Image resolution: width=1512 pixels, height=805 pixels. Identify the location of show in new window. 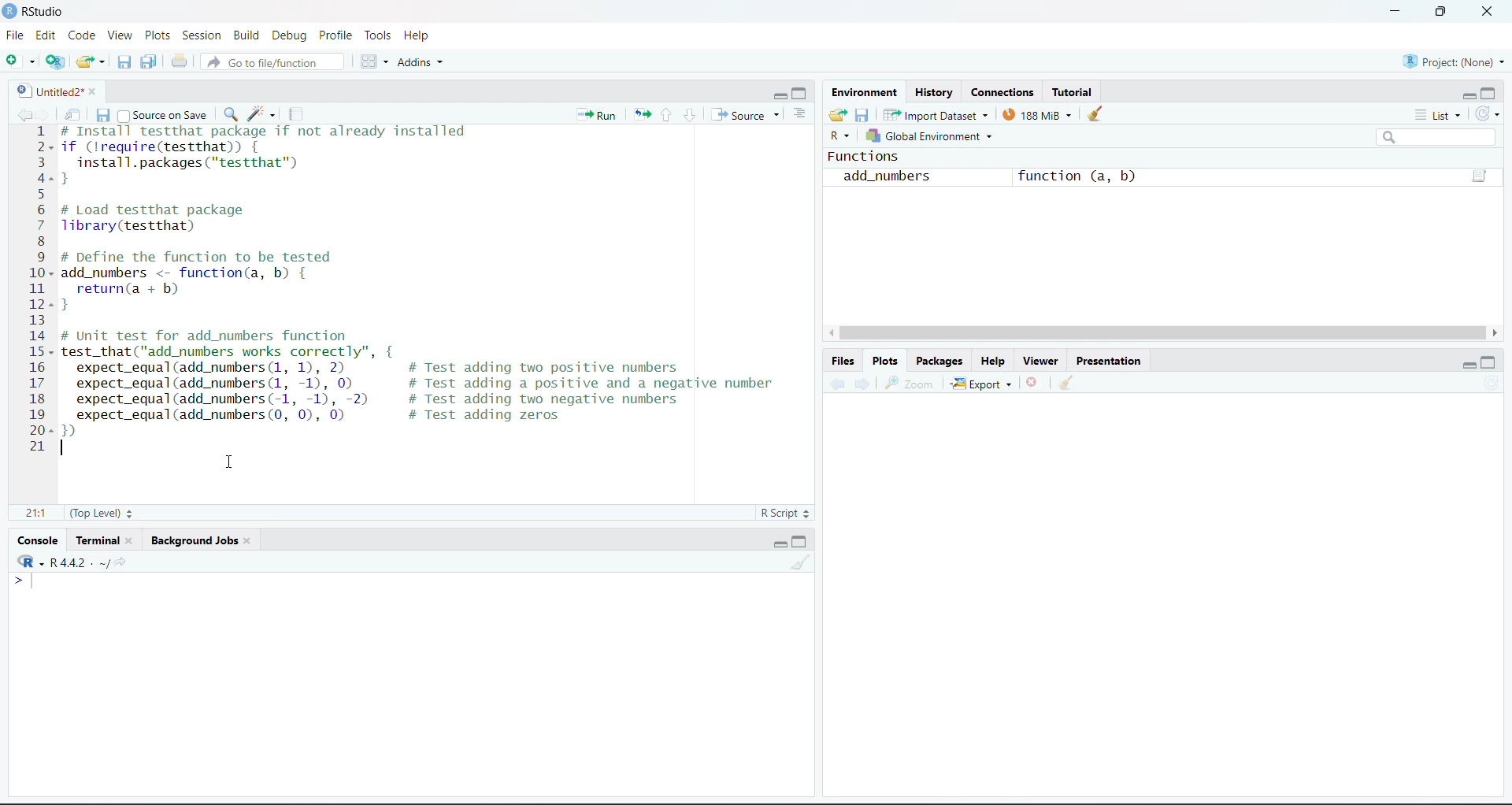
(74, 115).